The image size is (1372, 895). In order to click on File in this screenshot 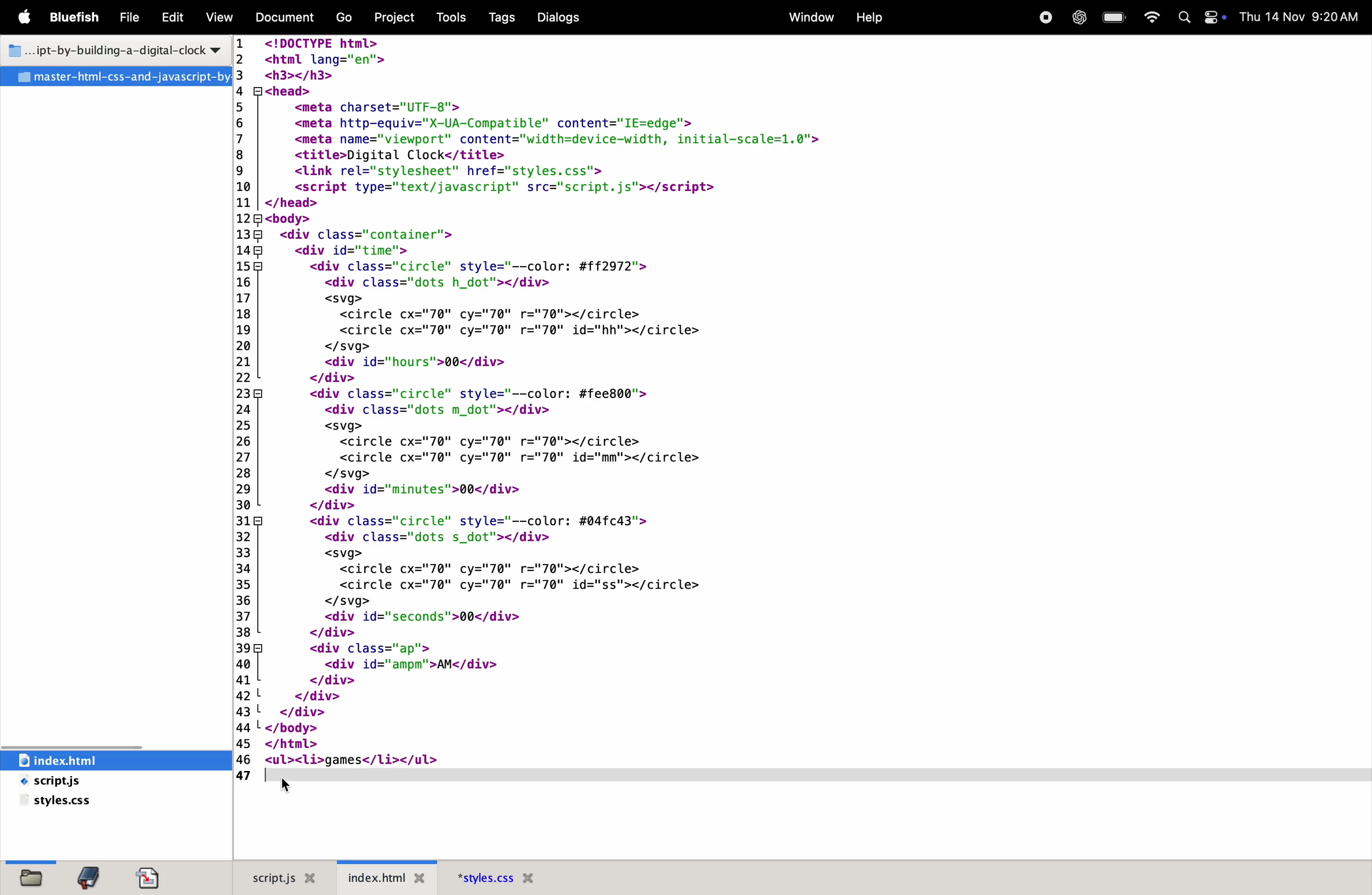, I will do `click(131, 18)`.